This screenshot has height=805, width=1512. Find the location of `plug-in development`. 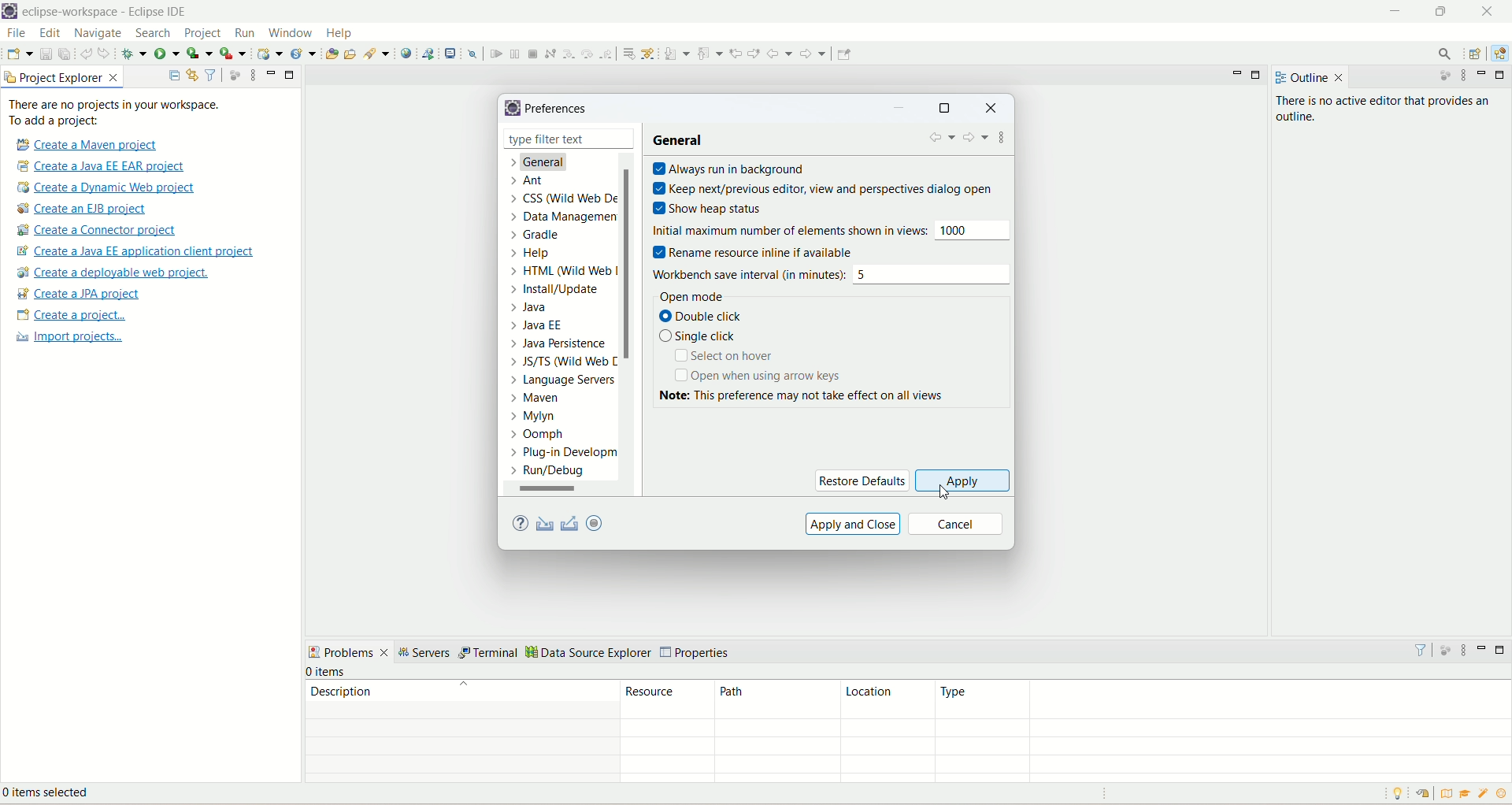

plug-in development is located at coordinates (564, 453).